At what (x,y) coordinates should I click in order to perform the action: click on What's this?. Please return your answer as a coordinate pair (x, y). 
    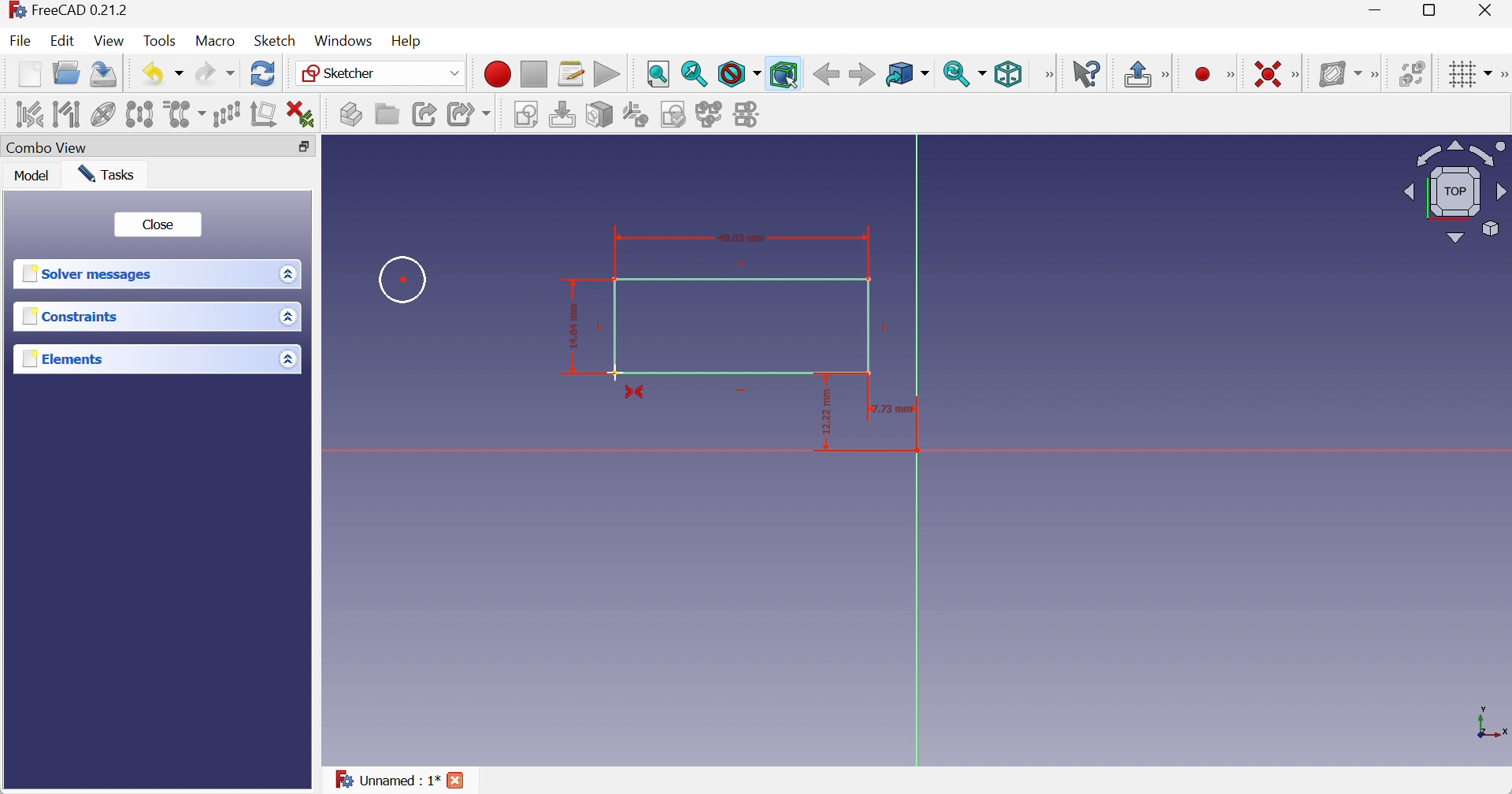
    Looking at the image, I should click on (1087, 73).